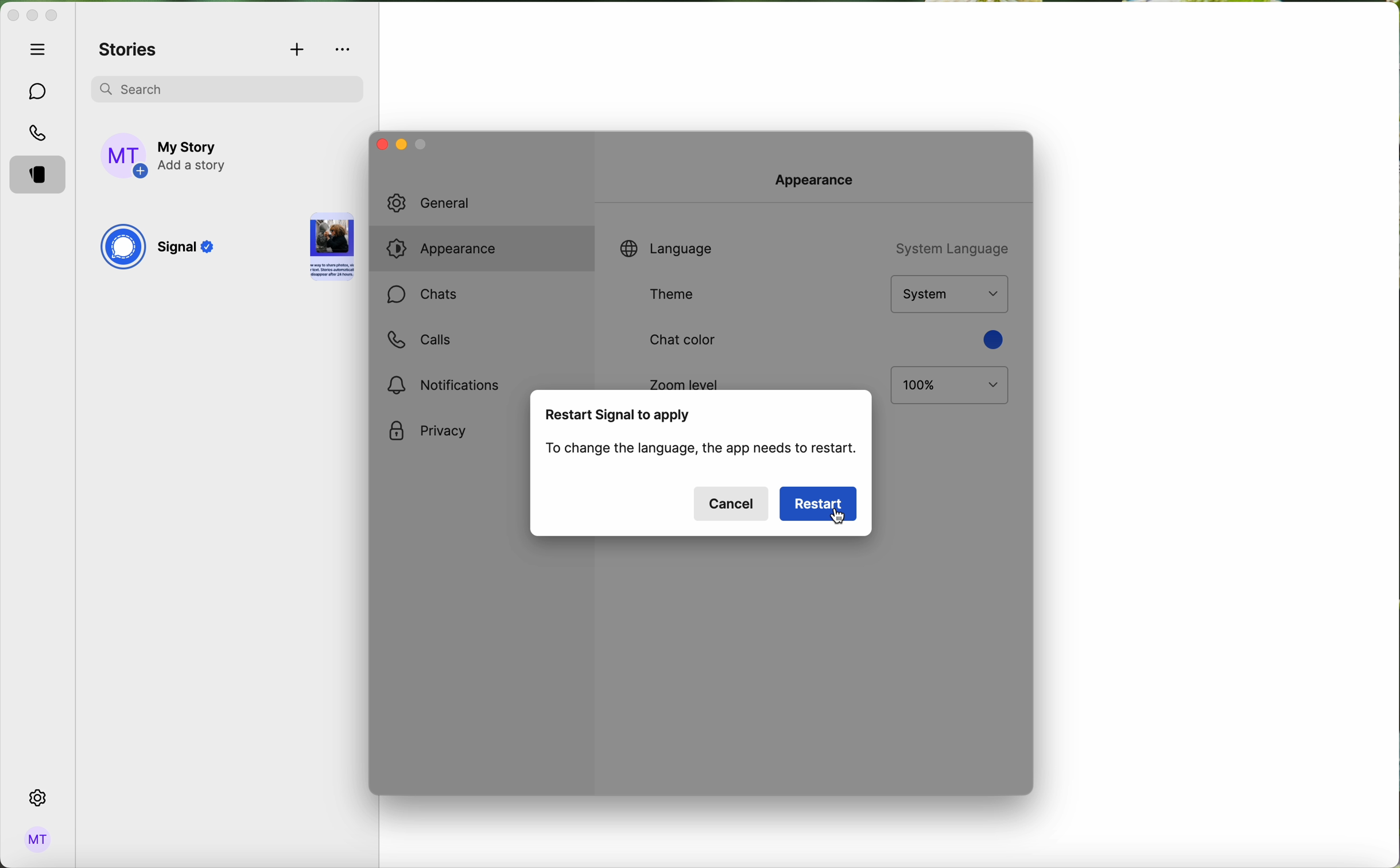 The height and width of the screenshot is (868, 1400). What do you see at coordinates (820, 504) in the screenshot?
I see `click on restart` at bounding box center [820, 504].